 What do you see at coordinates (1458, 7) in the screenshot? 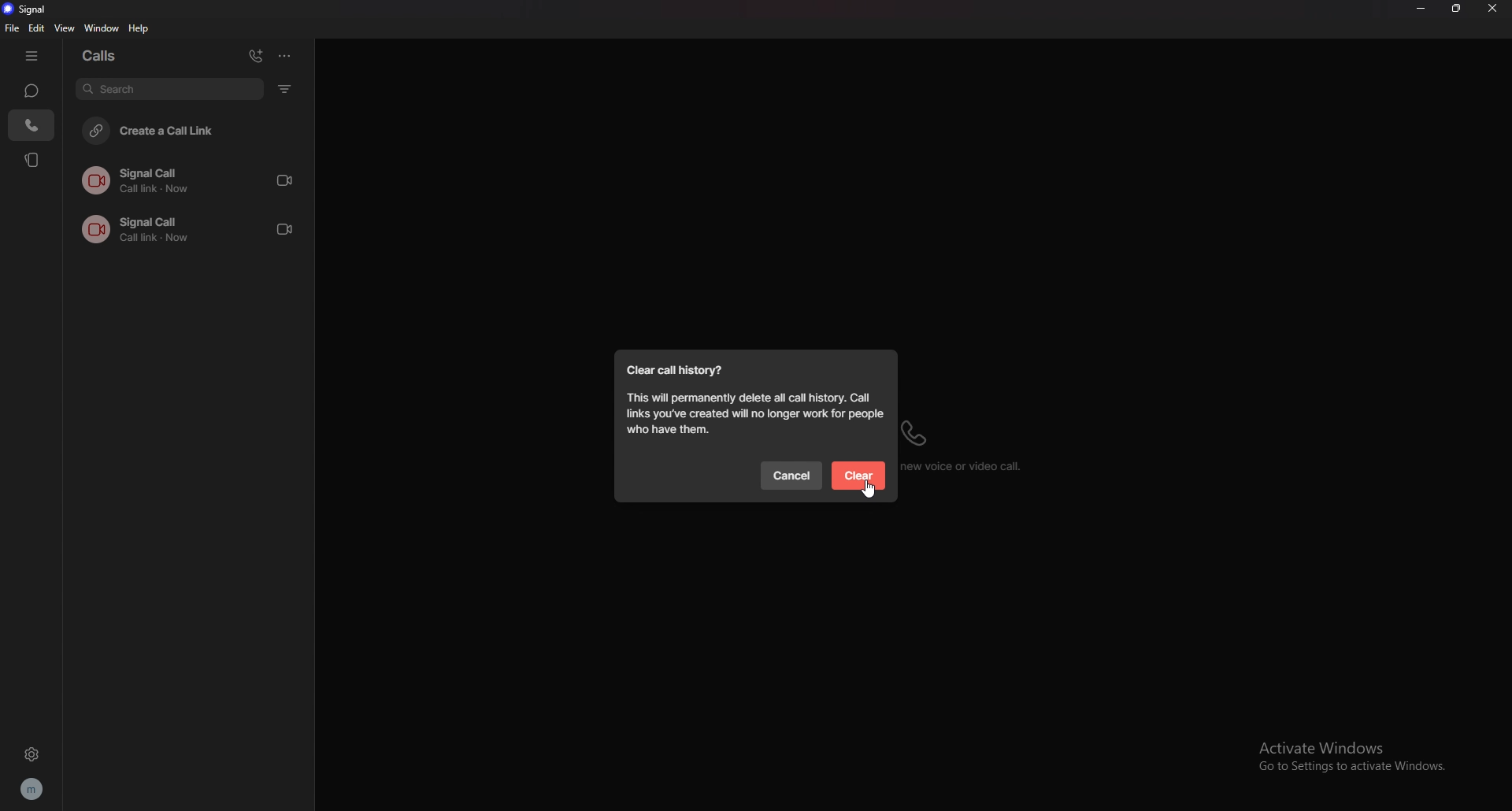
I see `resize` at bounding box center [1458, 7].